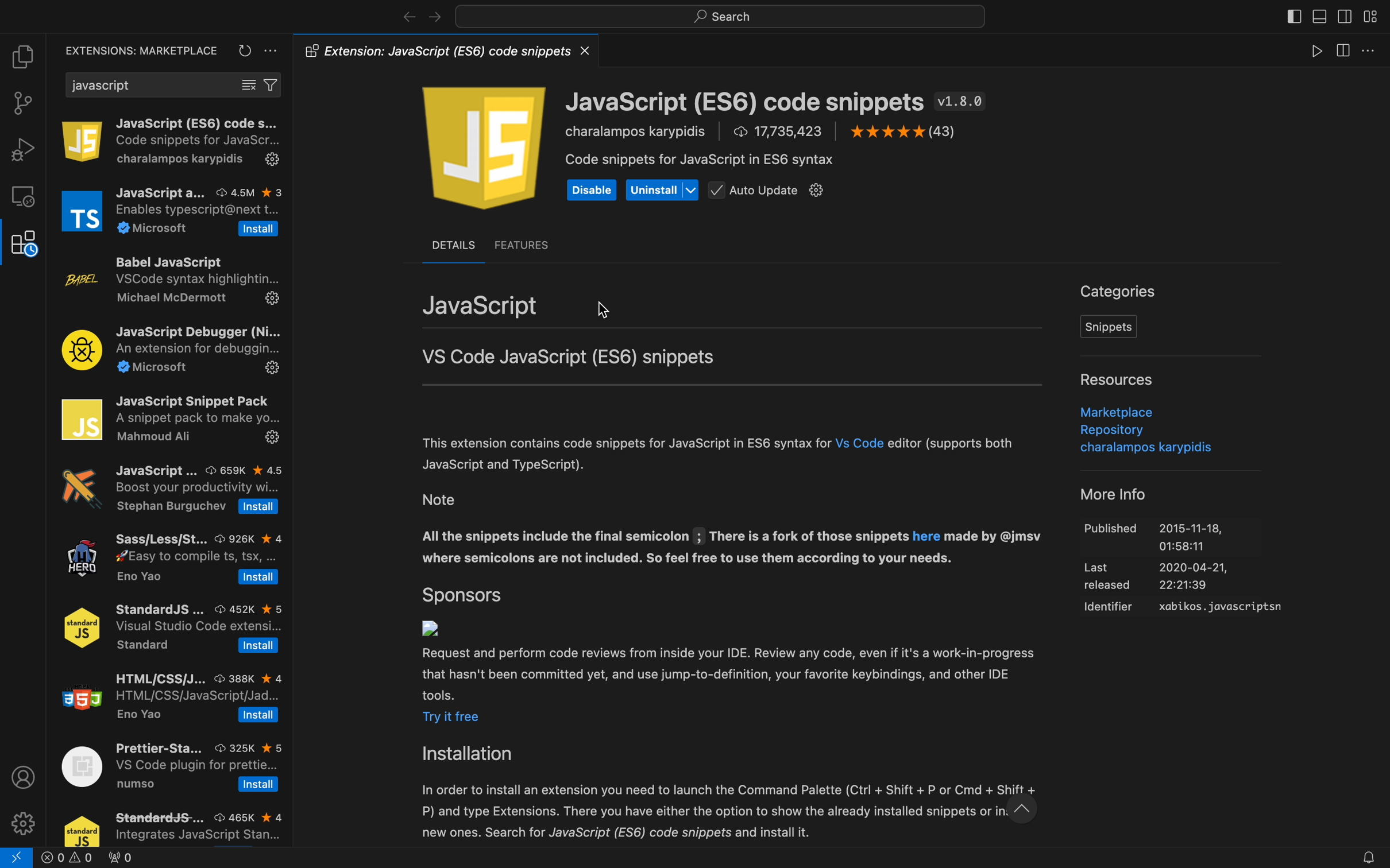 The image size is (1390, 868). I want to click on HTML/CSS/J... 388K * 4
HTML/CSS/JavaScript/Jad...
Eno Yao Install, so click(168, 695).